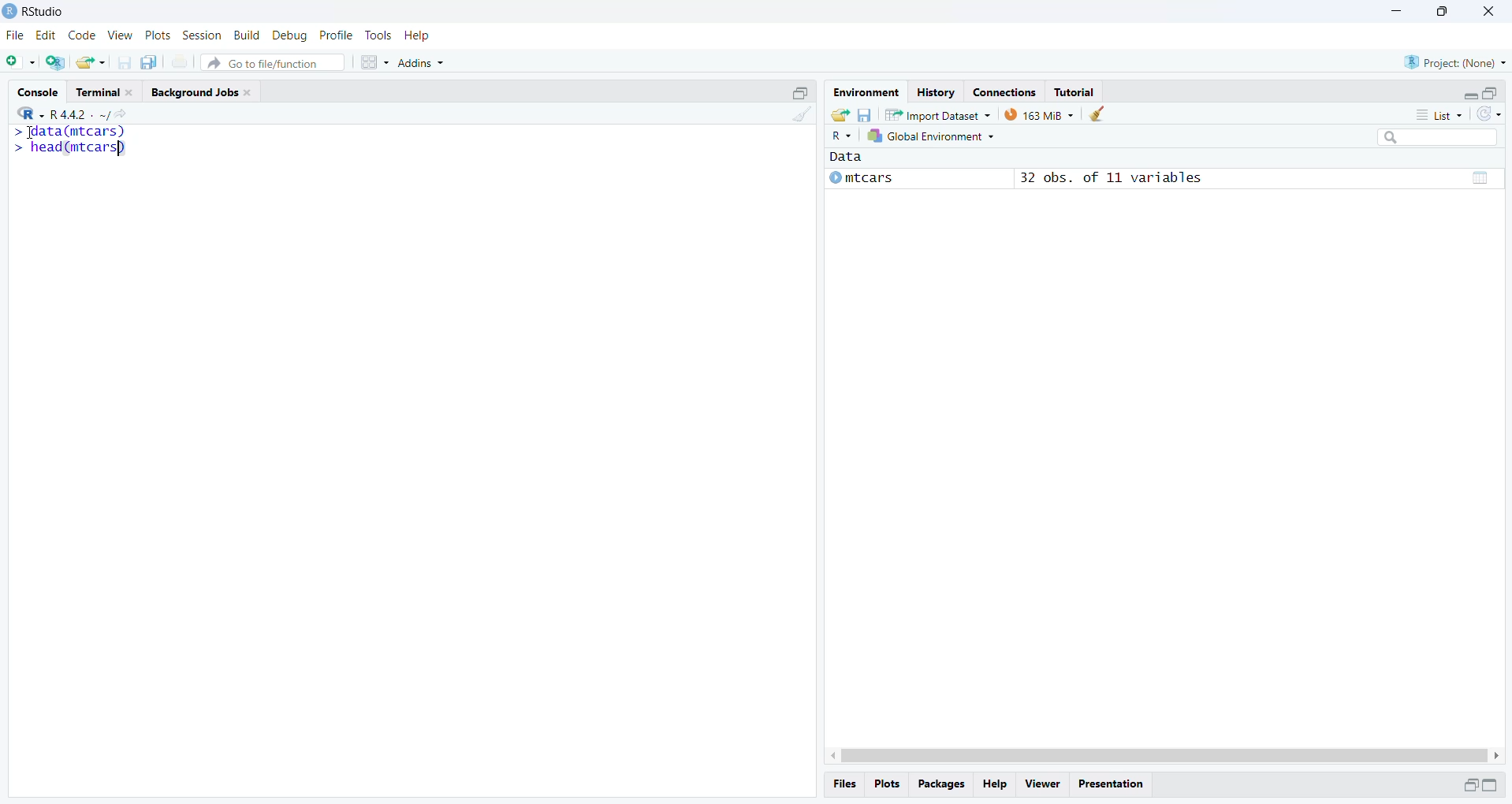 The width and height of the screenshot is (1512, 804). I want to click on clean, so click(1097, 114).